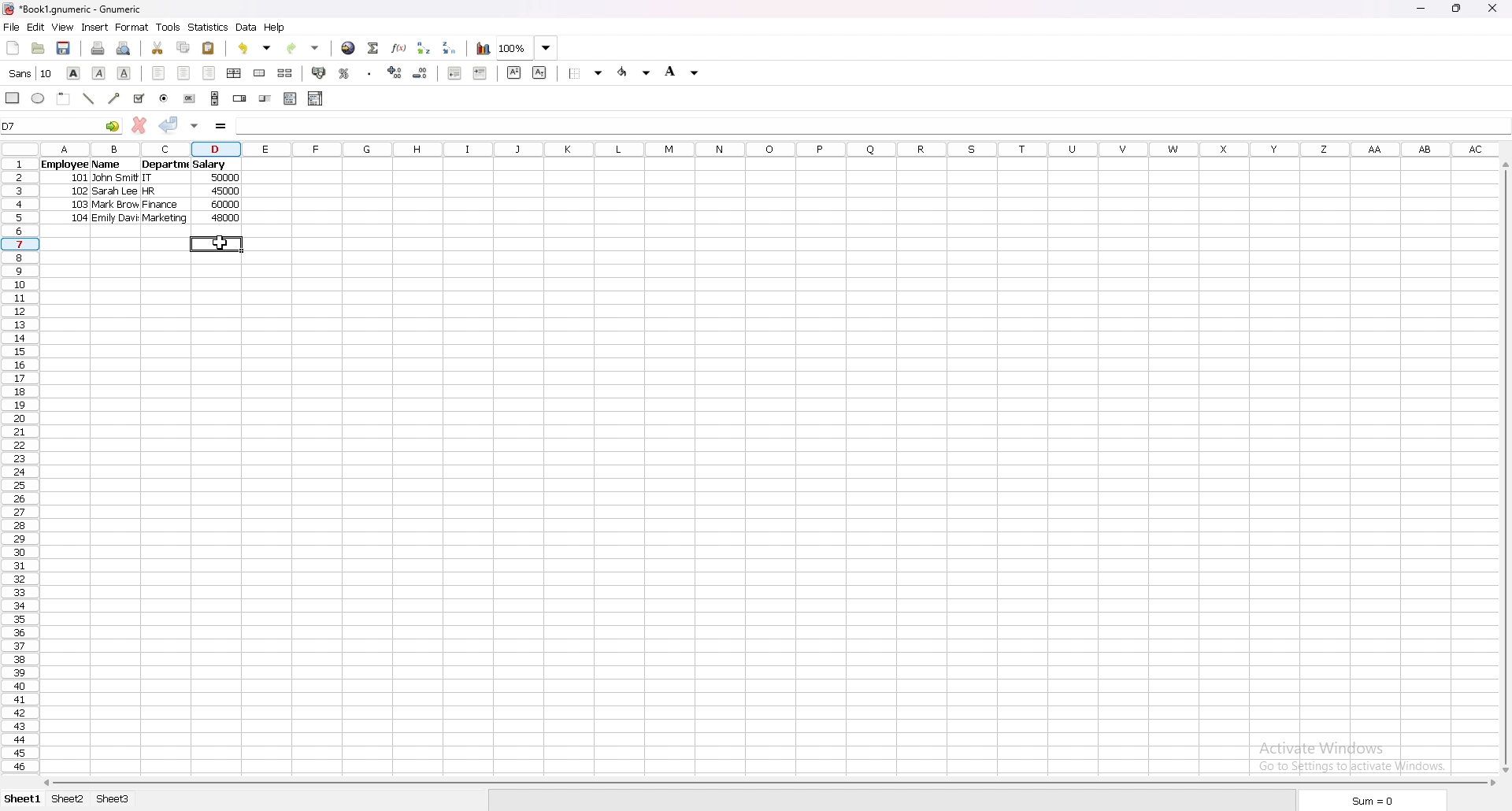  Describe the element at coordinates (527, 48) in the screenshot. I see `100%` at that location.